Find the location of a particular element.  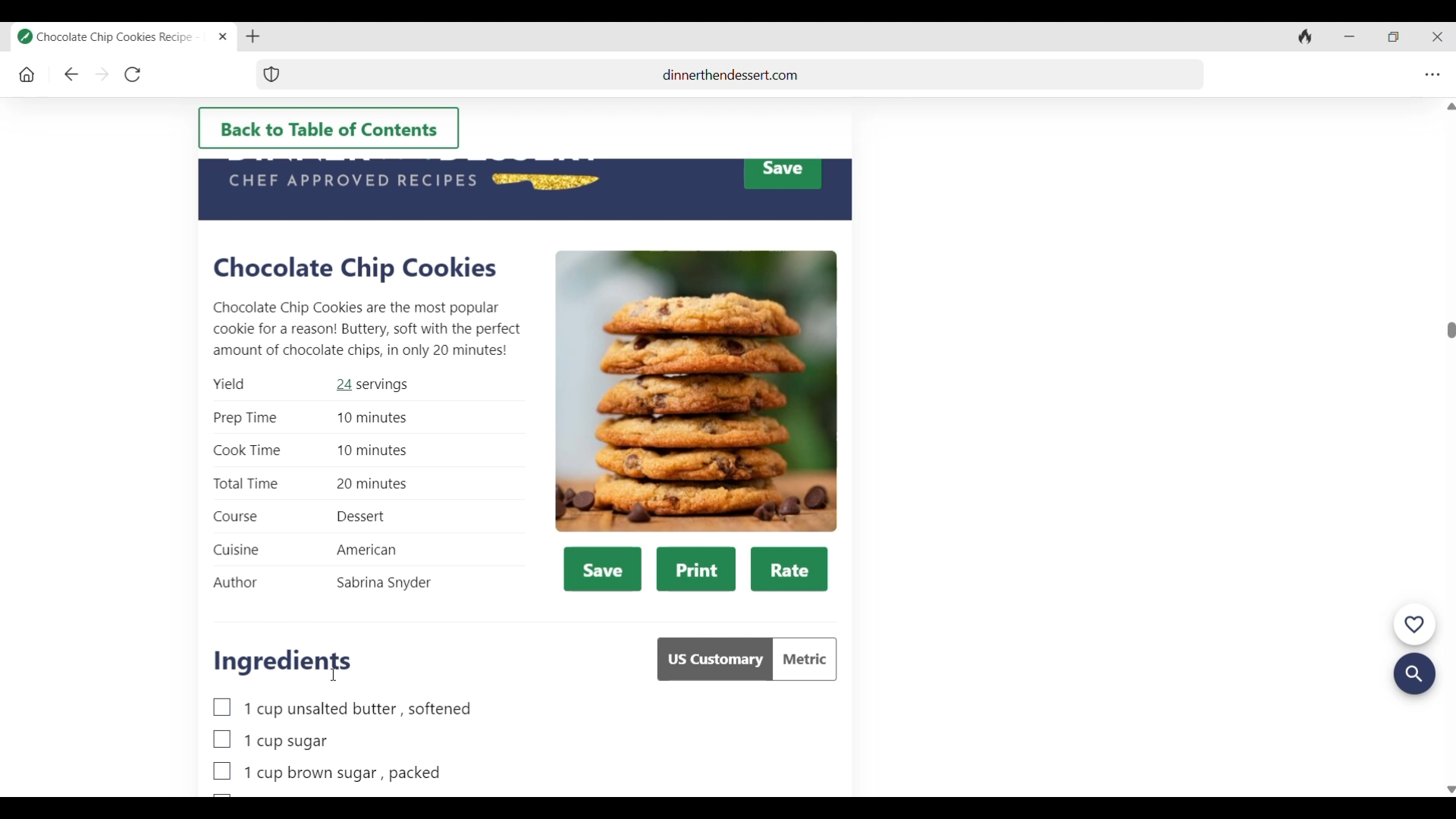

Quick search is located at coordinates (1414, 675).